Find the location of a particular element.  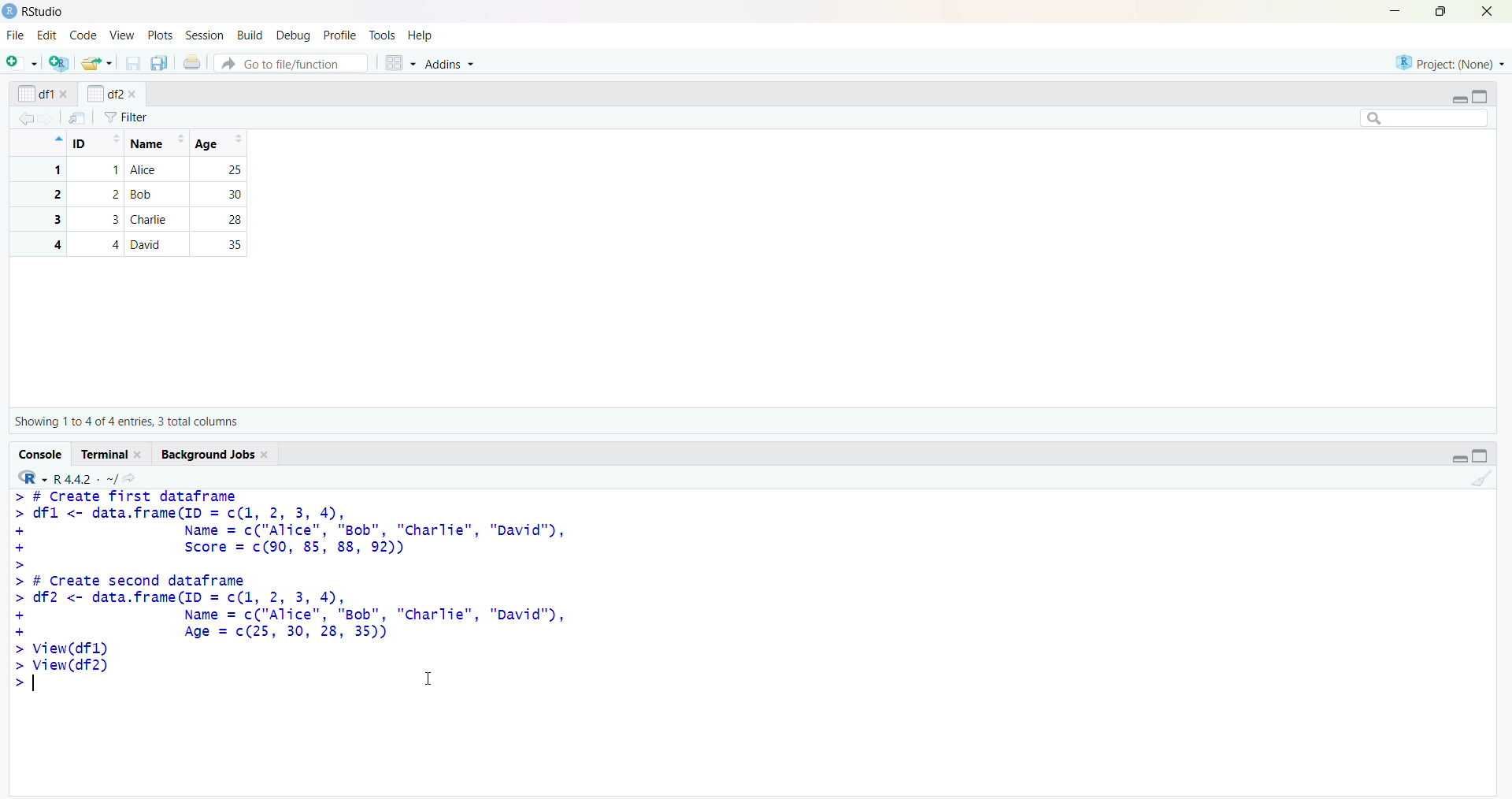

ID is located at coordinates (97, 143).